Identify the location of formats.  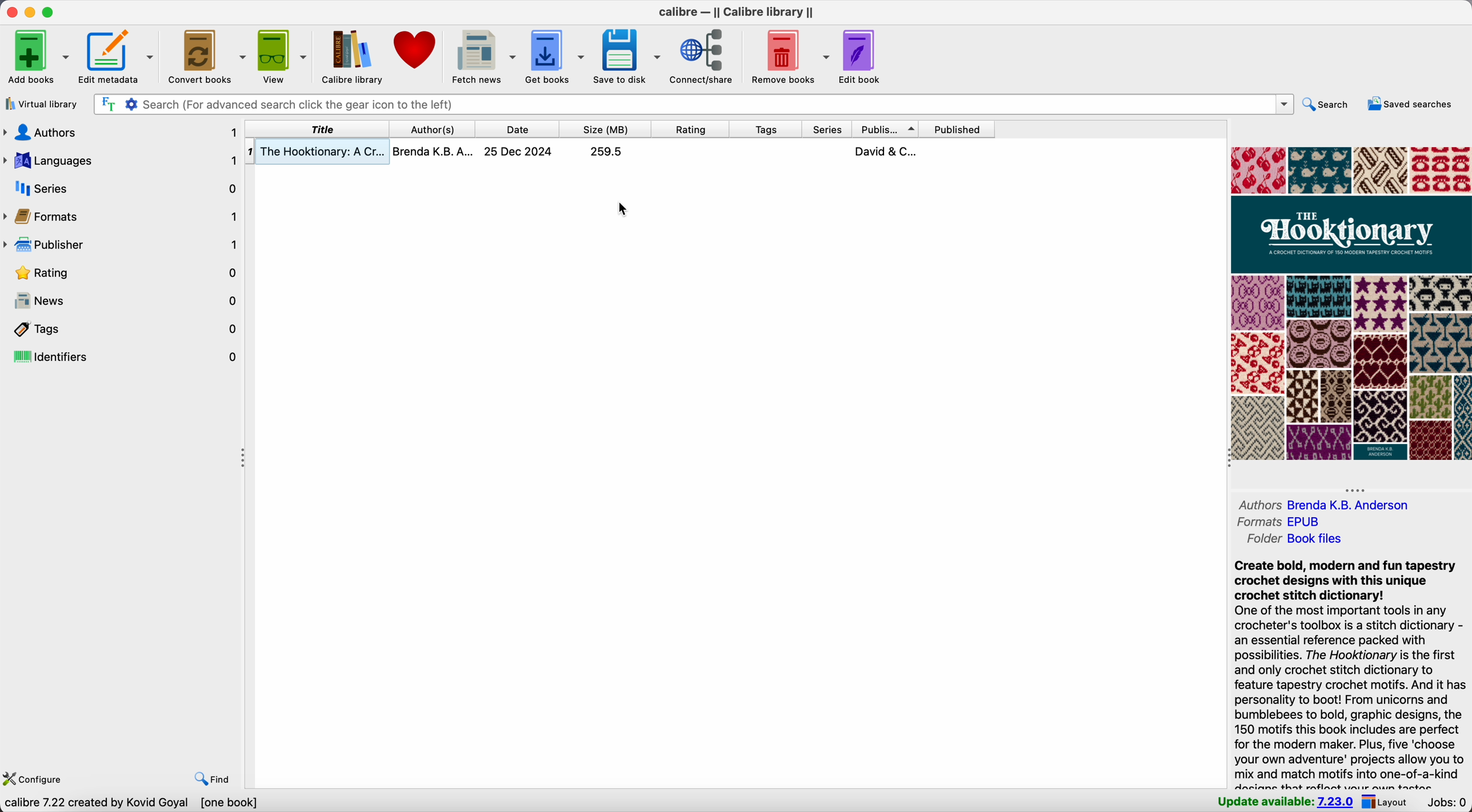
(123, 219).